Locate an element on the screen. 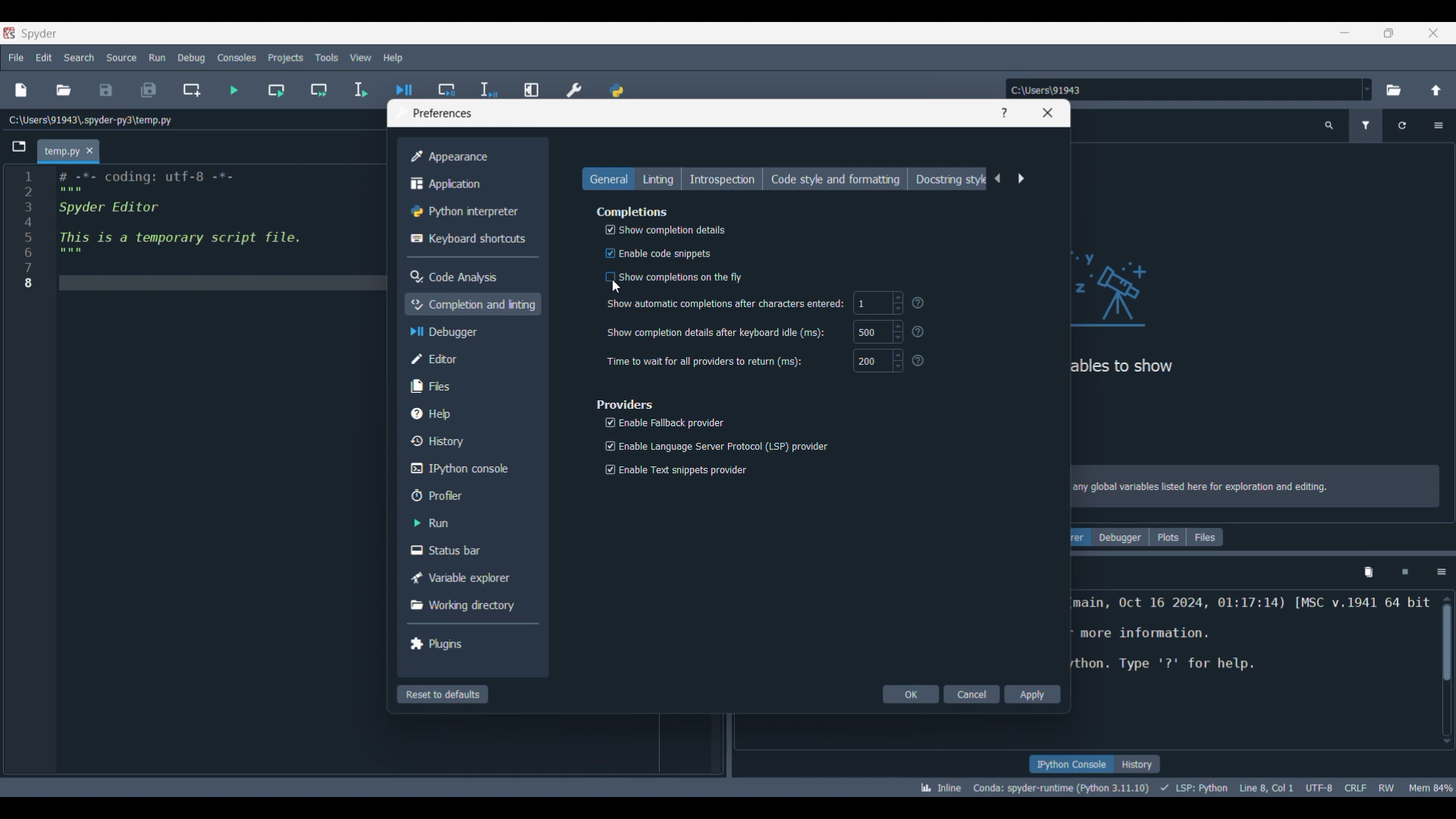  ‘Show completions on the fly is located at coordinates (676, 277).